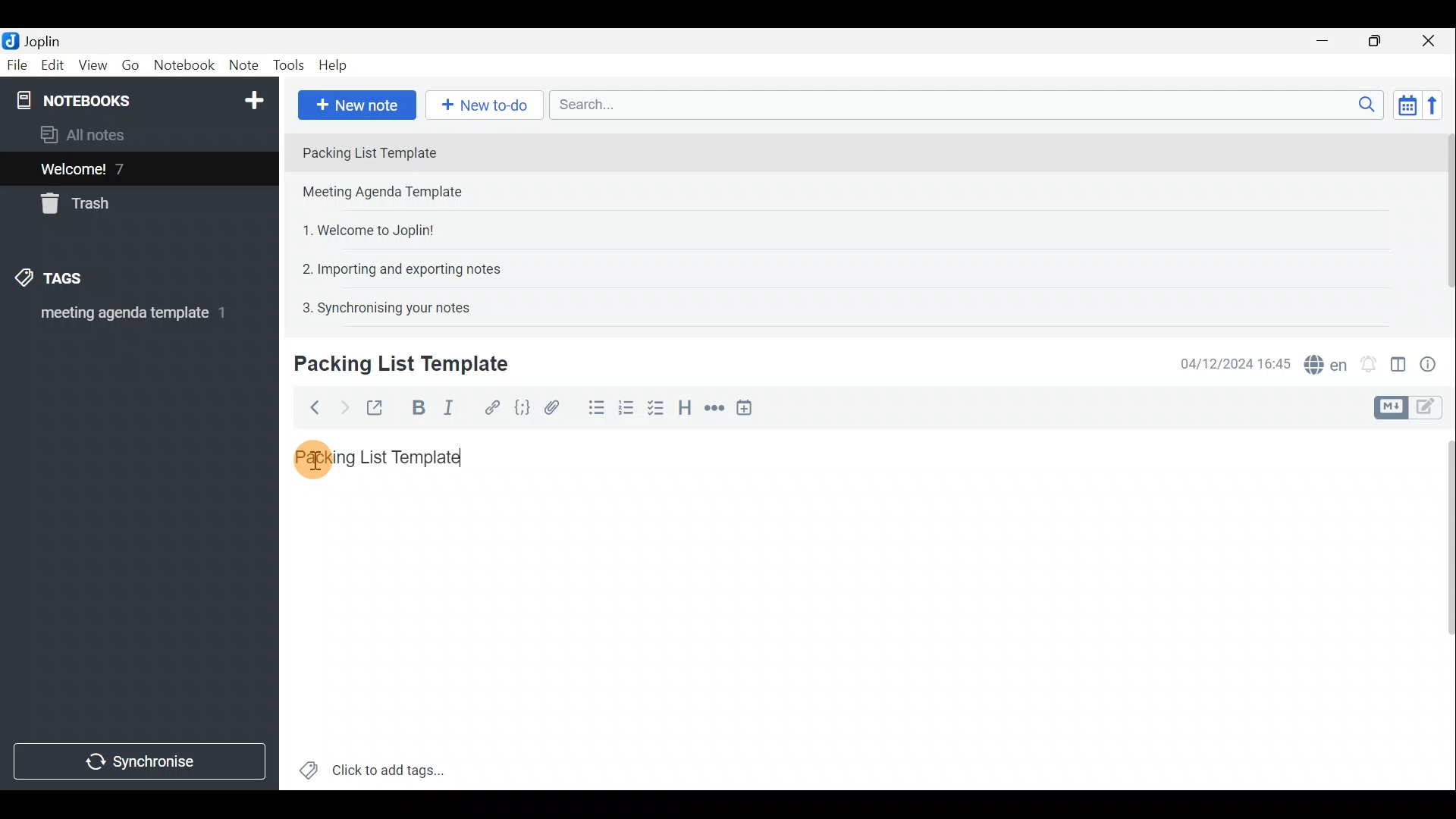  I want to click on Note 2, so click(397, 193).